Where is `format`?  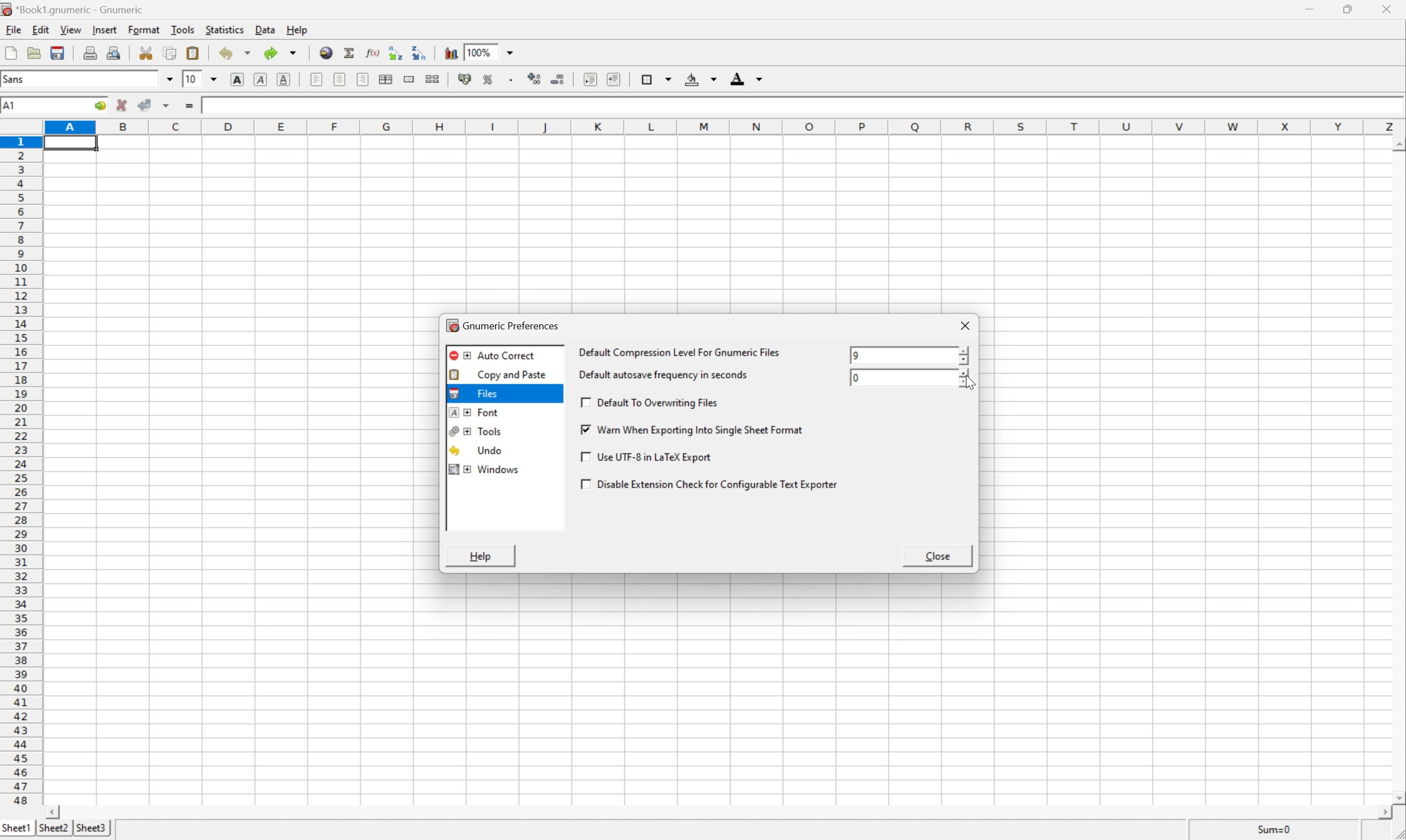
format is located at coordinates (143, 30).